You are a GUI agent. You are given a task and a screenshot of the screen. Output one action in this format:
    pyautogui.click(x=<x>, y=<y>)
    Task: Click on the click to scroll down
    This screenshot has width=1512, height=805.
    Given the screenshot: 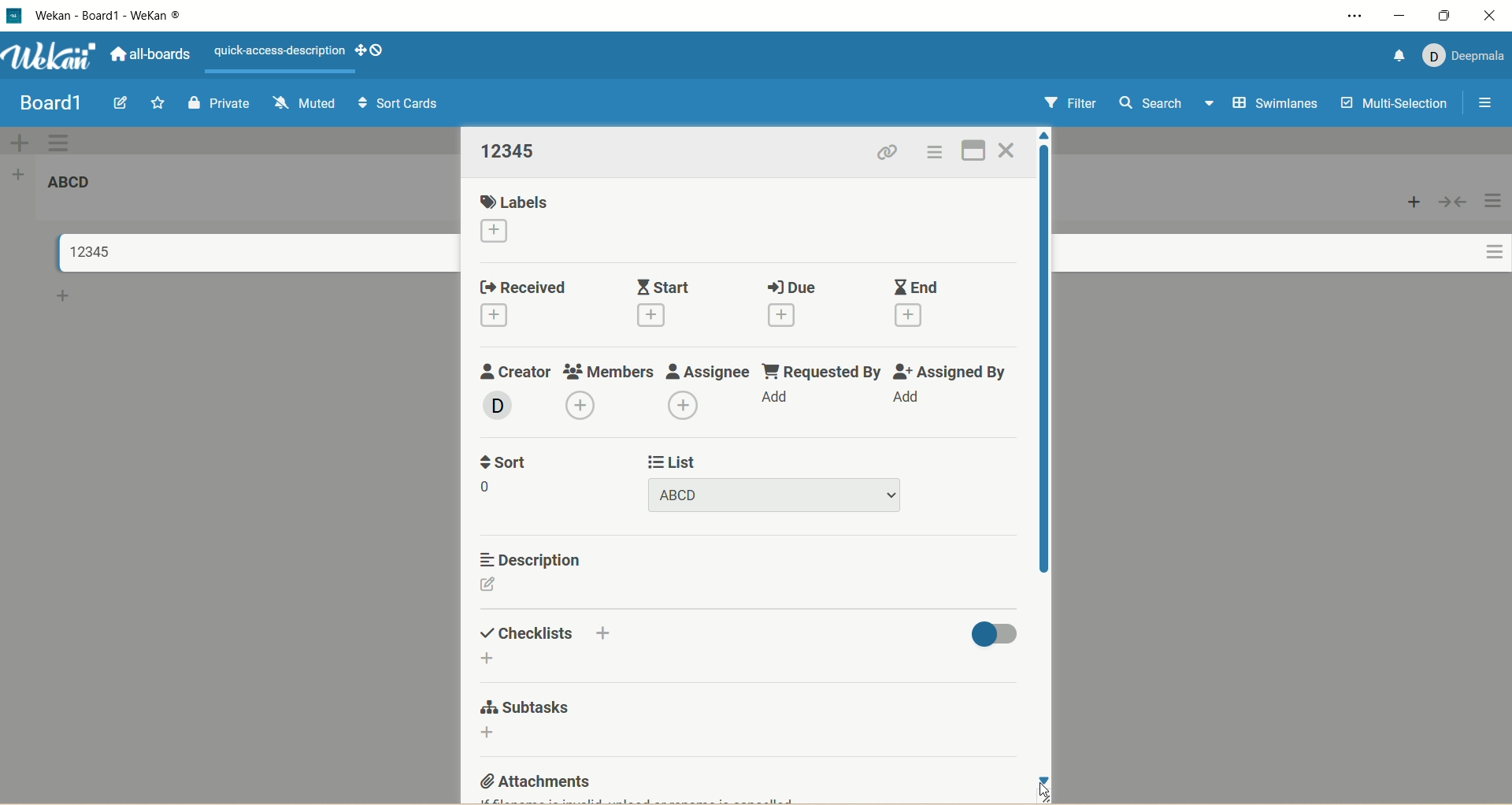 What is the action you would take?
    pyautogui.click(x=1045, y=779)
    